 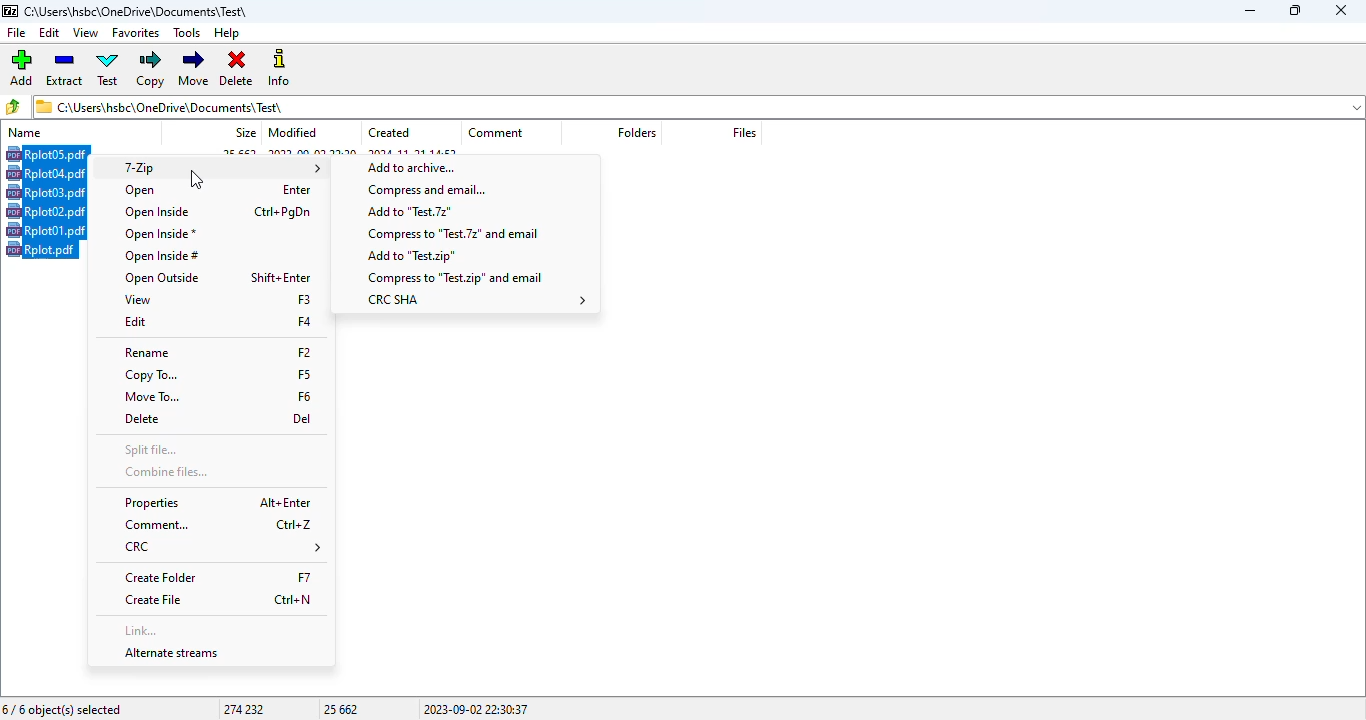 I want to click on files, so click(x=744, y=132).